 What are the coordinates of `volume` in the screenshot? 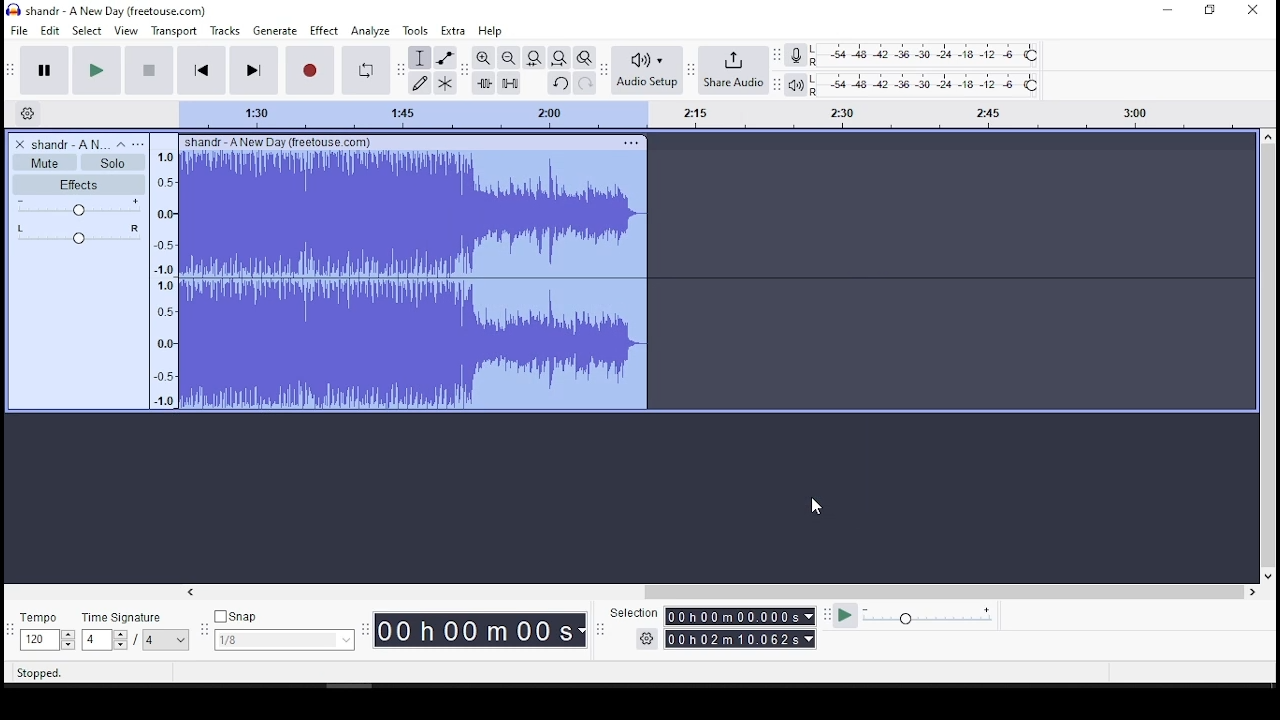 It's located at (77, 207).